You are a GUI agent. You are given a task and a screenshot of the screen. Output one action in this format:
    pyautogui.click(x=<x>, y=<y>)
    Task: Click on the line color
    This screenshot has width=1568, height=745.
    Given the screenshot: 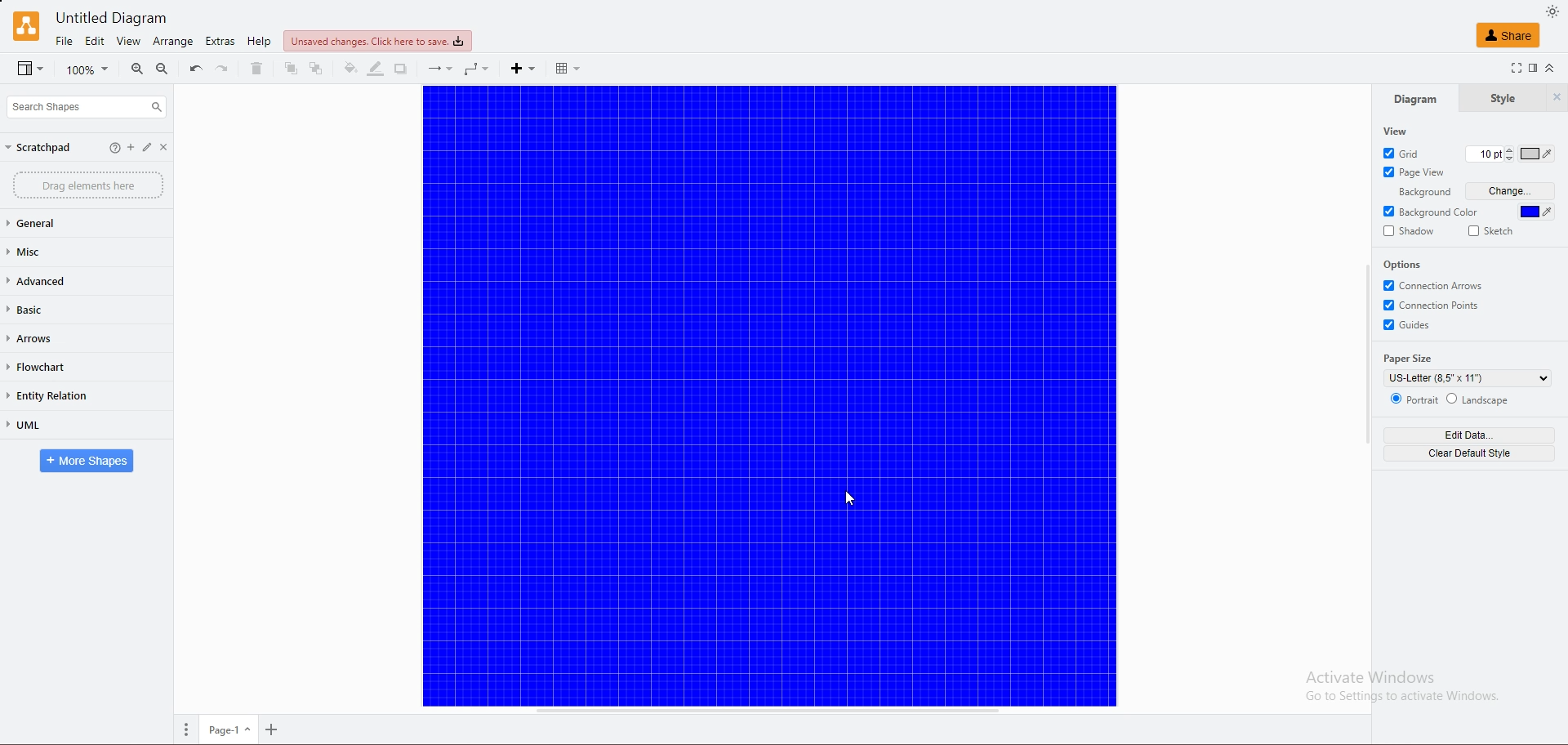 What is the action you would take?
    pyautogui.click(x=375, y=69)
    